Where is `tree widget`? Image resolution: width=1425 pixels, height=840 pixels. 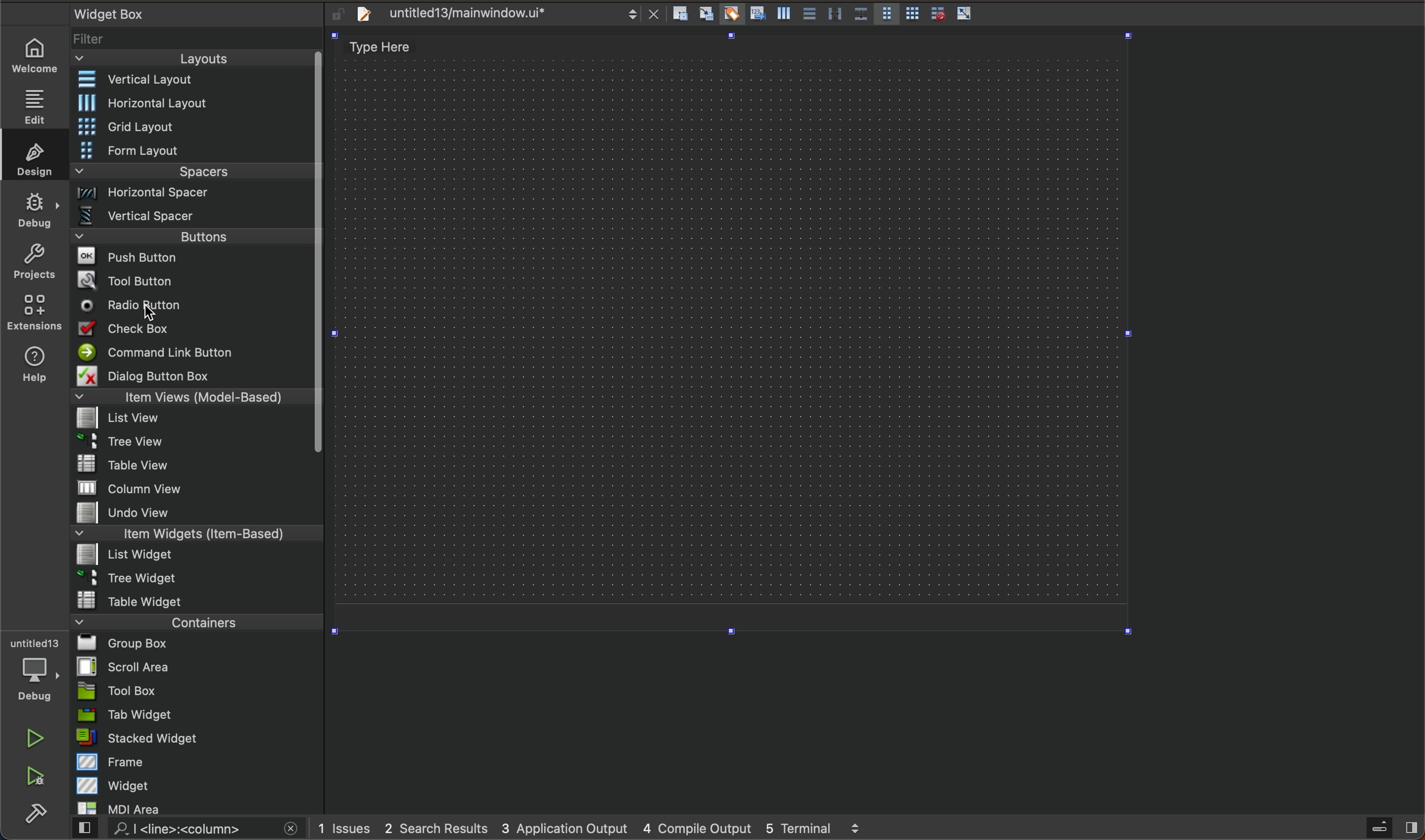
tree widget is located at coordinates (198, 579).